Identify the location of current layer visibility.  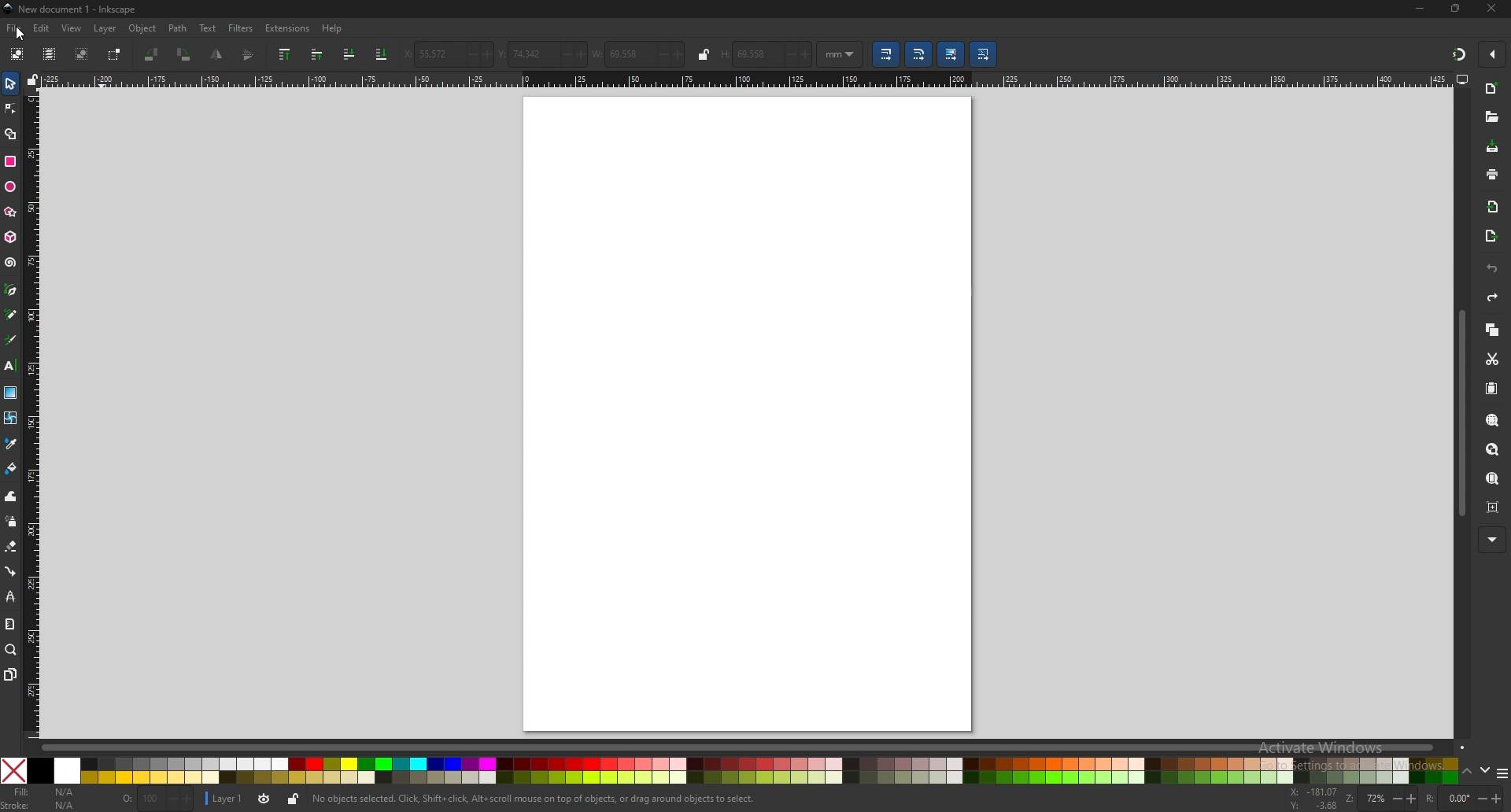
(266, 799).